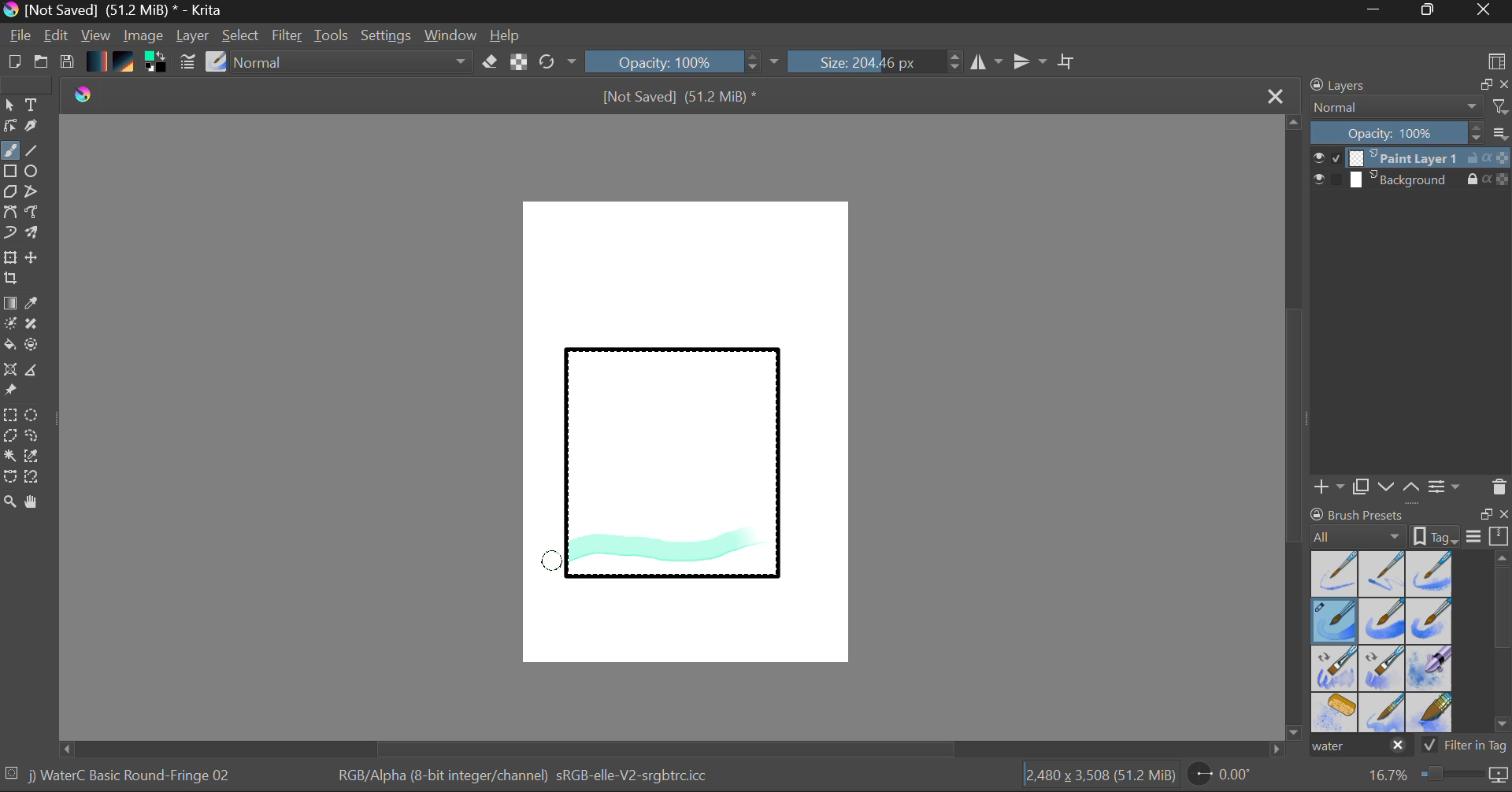  I want to click on Water C - Special Splats, so click(1336, 712).